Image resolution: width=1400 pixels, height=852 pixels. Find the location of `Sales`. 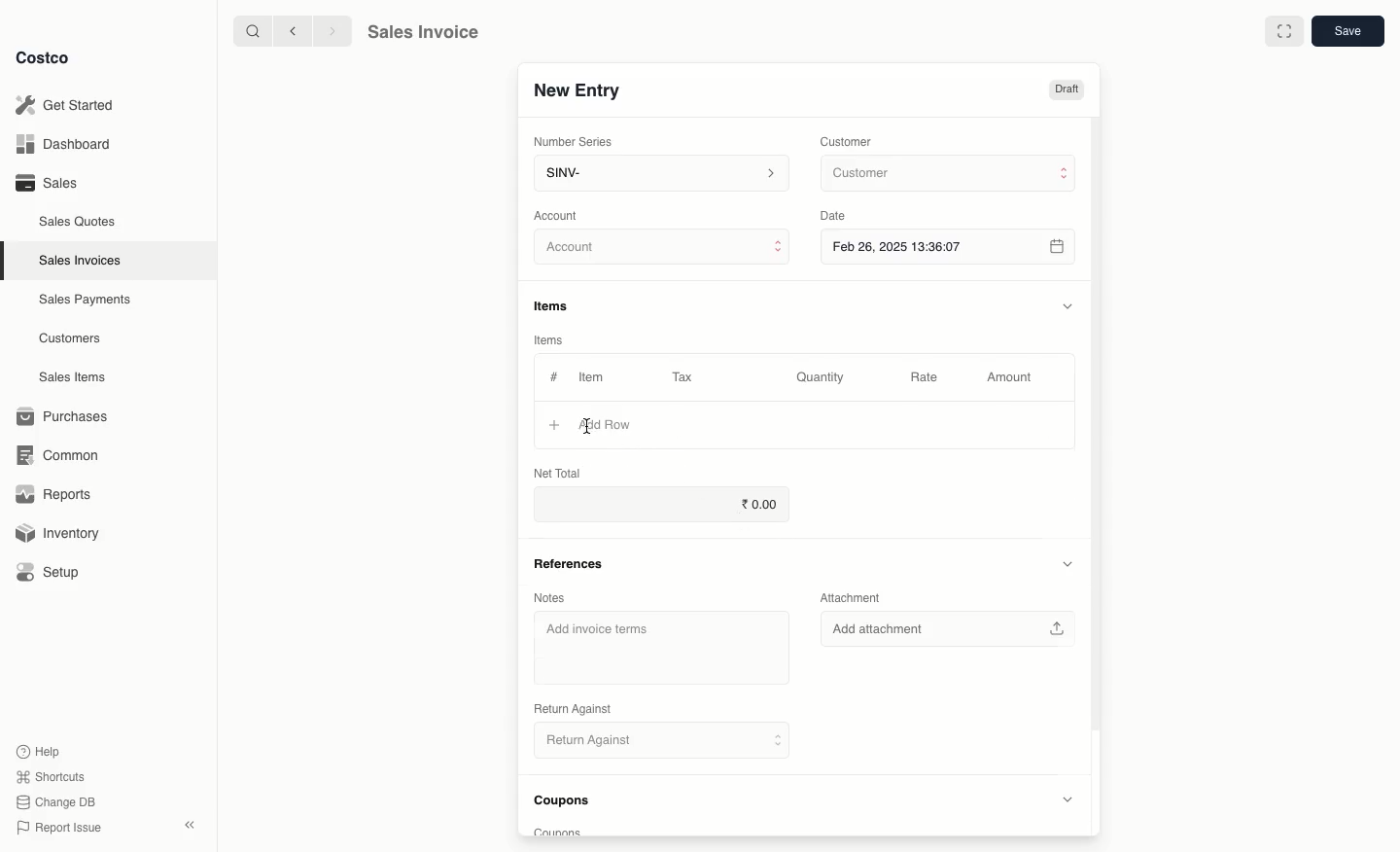

Sales is located at coordinates (46, 183).